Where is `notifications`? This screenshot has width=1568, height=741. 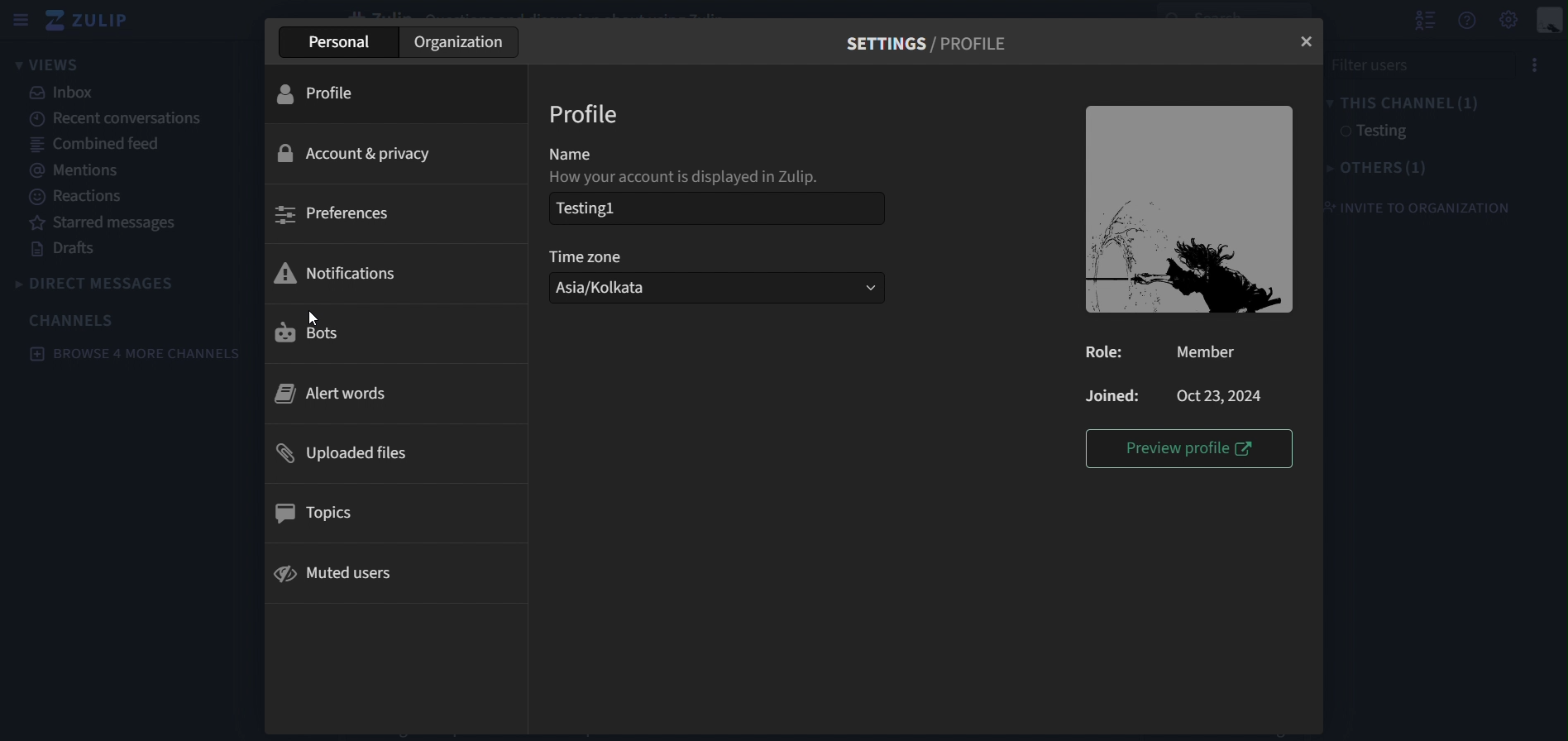 notifications is located at coordinates (336, 271).